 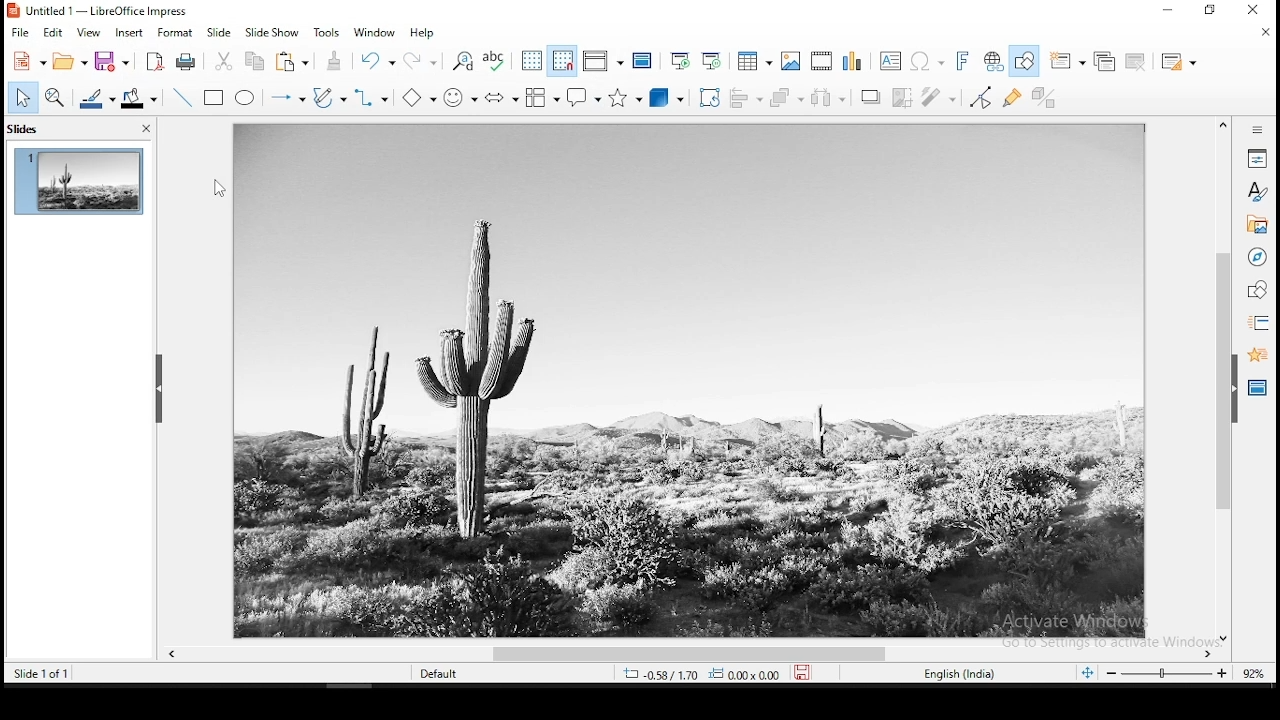 What do you see at coordinates (1258, 355) in the screenshot?
I see `animation` at bounding box center [1258, 355].